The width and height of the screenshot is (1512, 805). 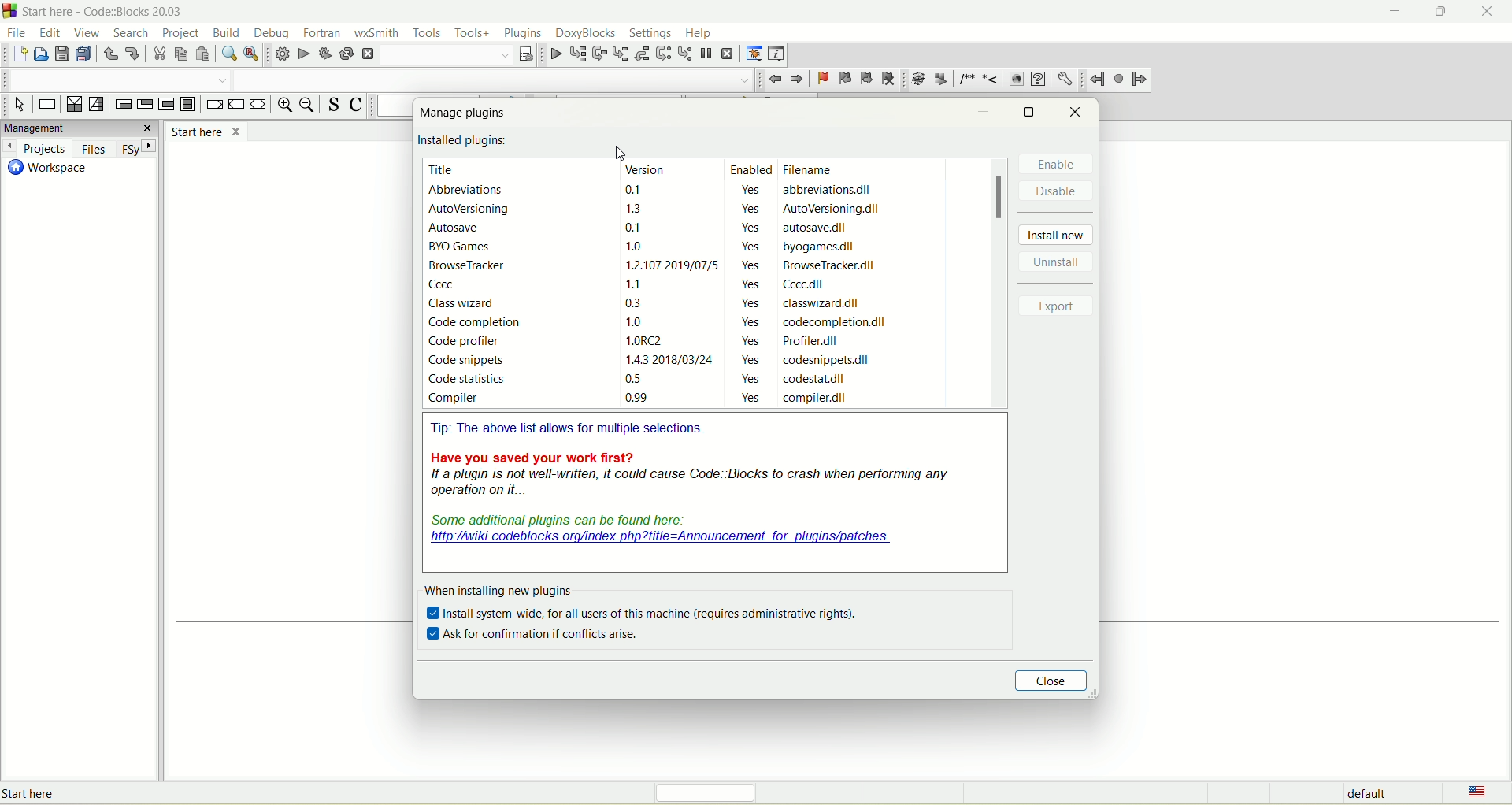 I want to click on default, so click(x=1366, y=793).